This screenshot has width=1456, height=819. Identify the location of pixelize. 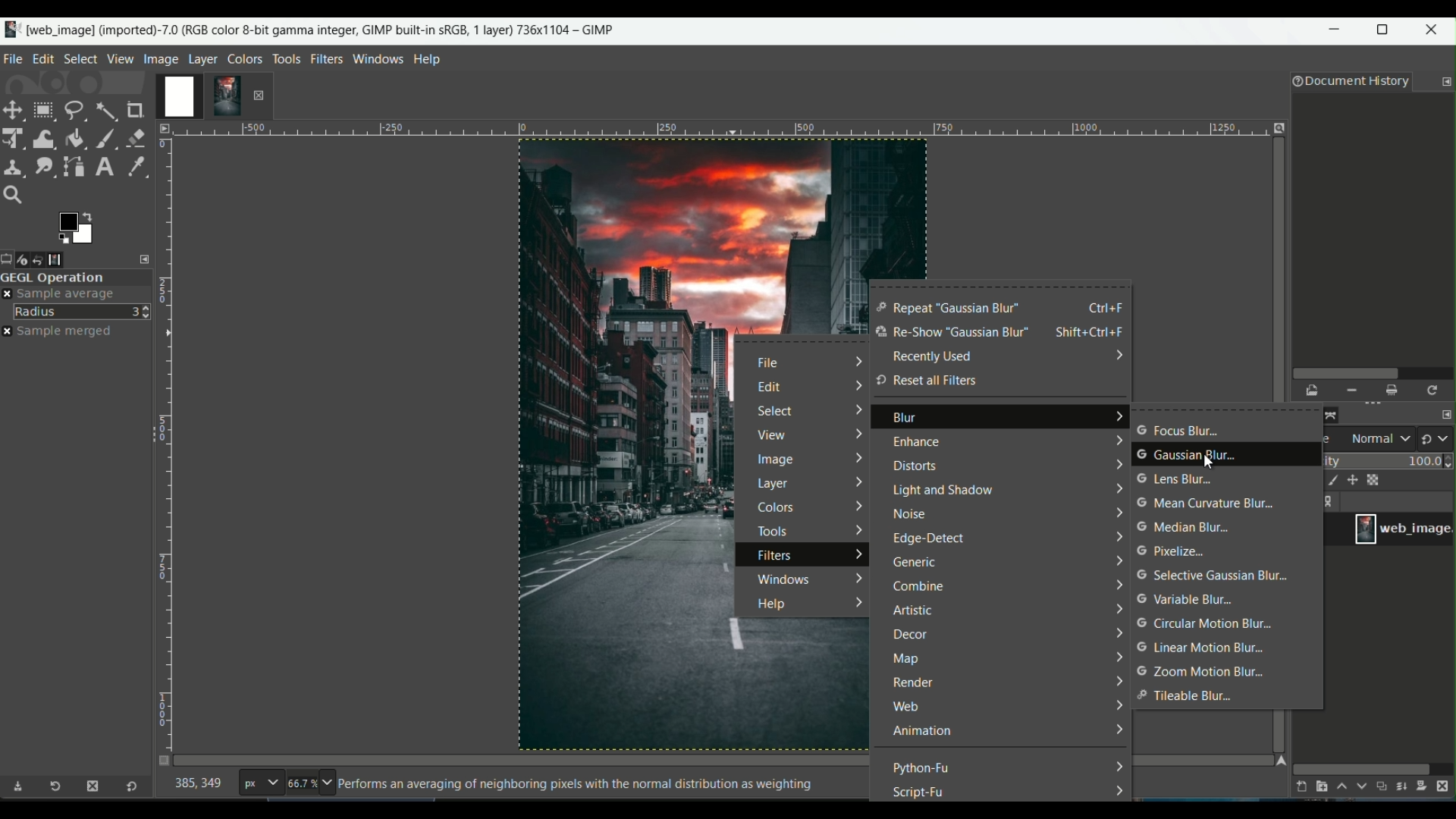
(1178, 551).